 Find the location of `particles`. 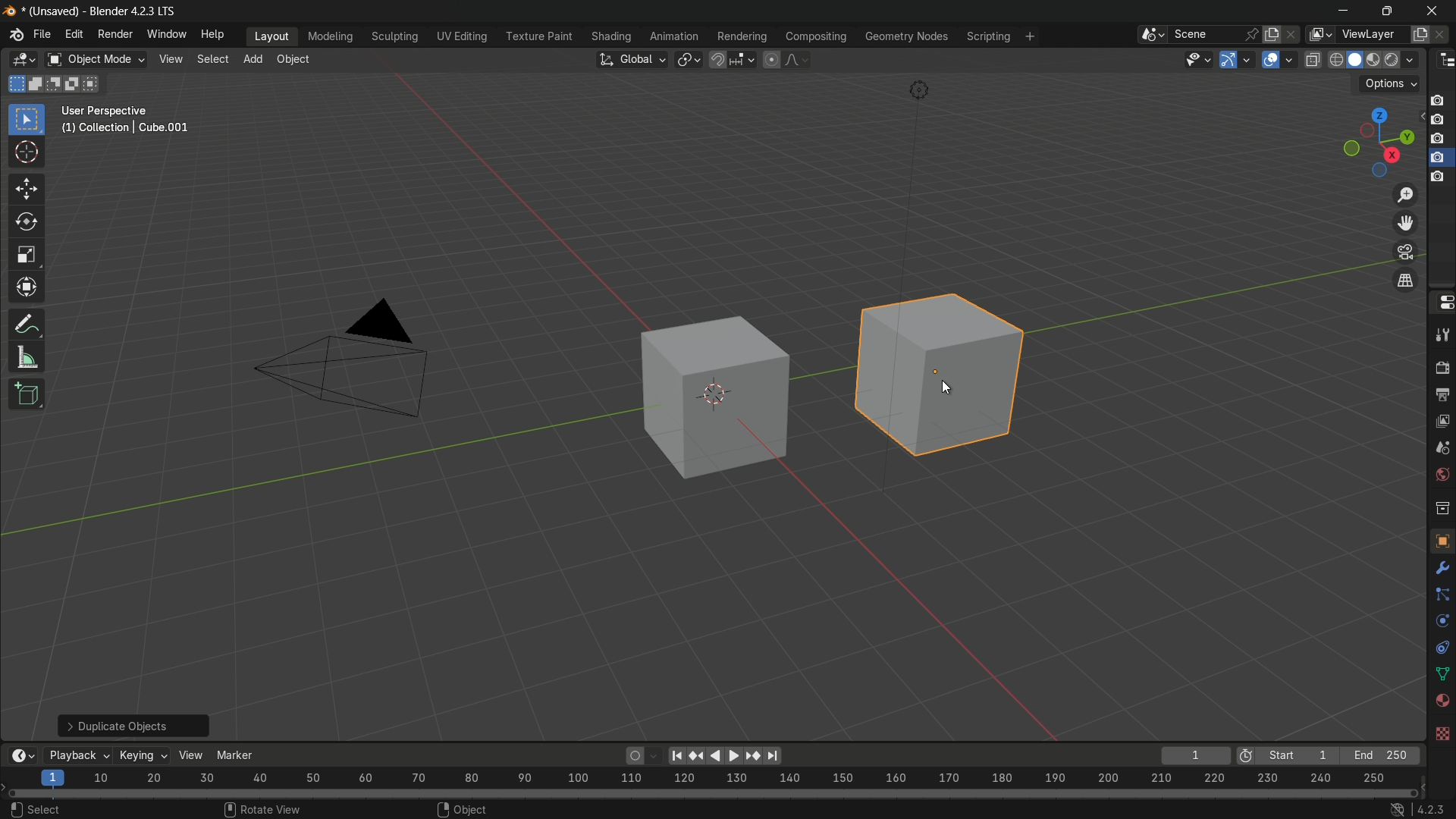

particles is located at coordinates (1442, 594).